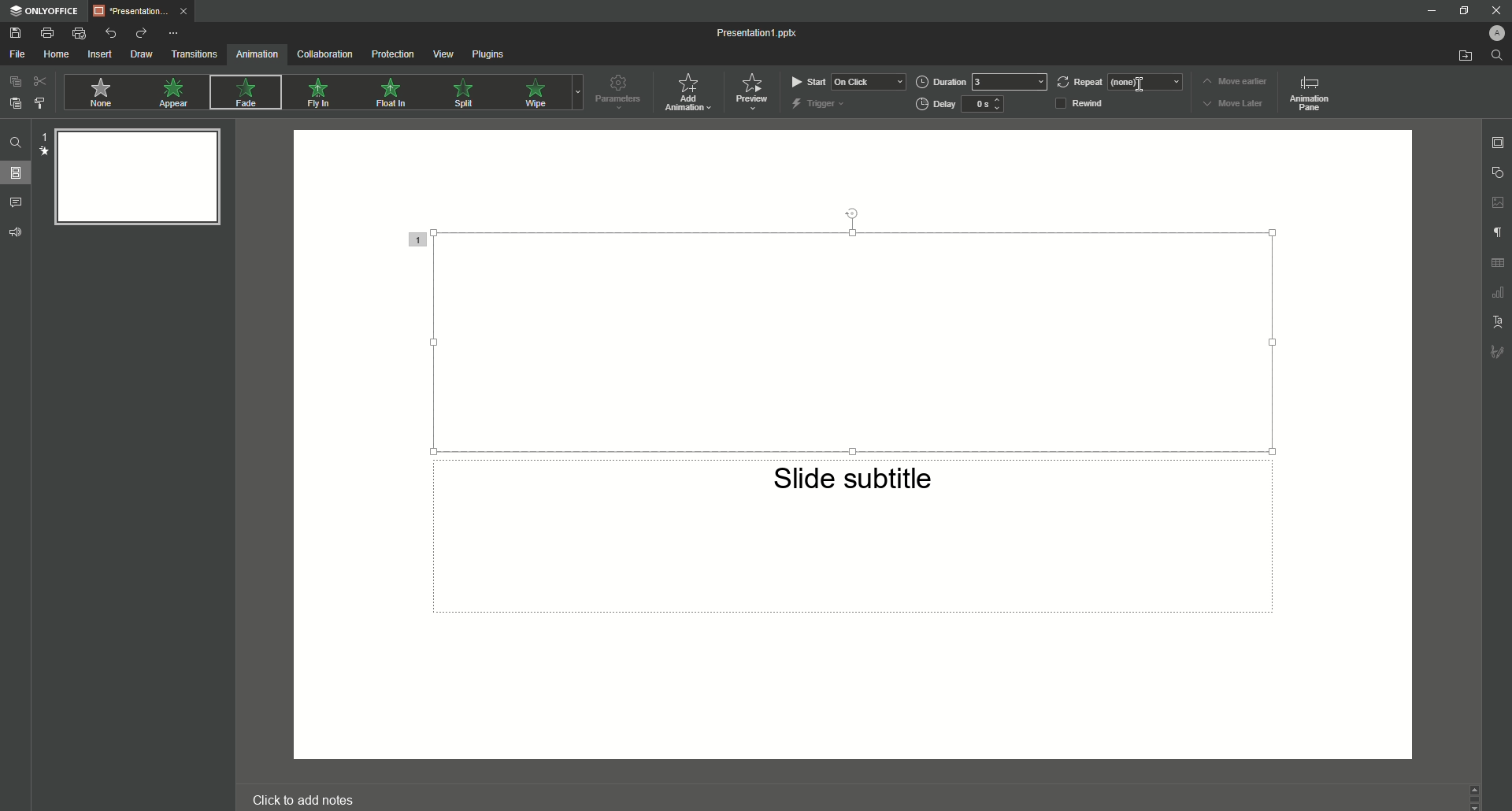 This screenshot has width=1512, height=811. What do you see at coordinates (175, 94) in the screenshot?
I see `Appear` at bounding box center [175, 94].